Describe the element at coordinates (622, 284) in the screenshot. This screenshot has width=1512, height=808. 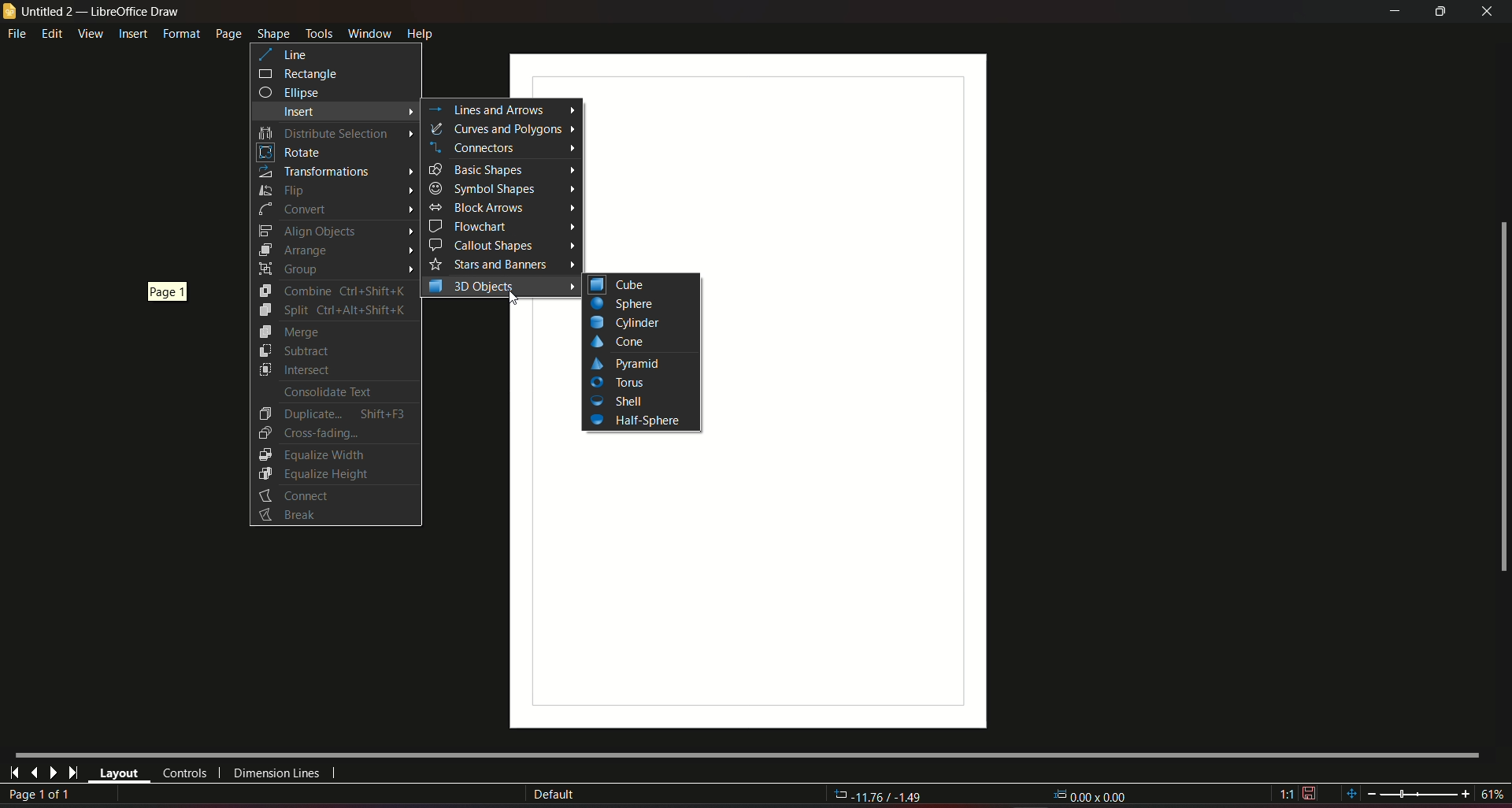
I see `cube` at that location.